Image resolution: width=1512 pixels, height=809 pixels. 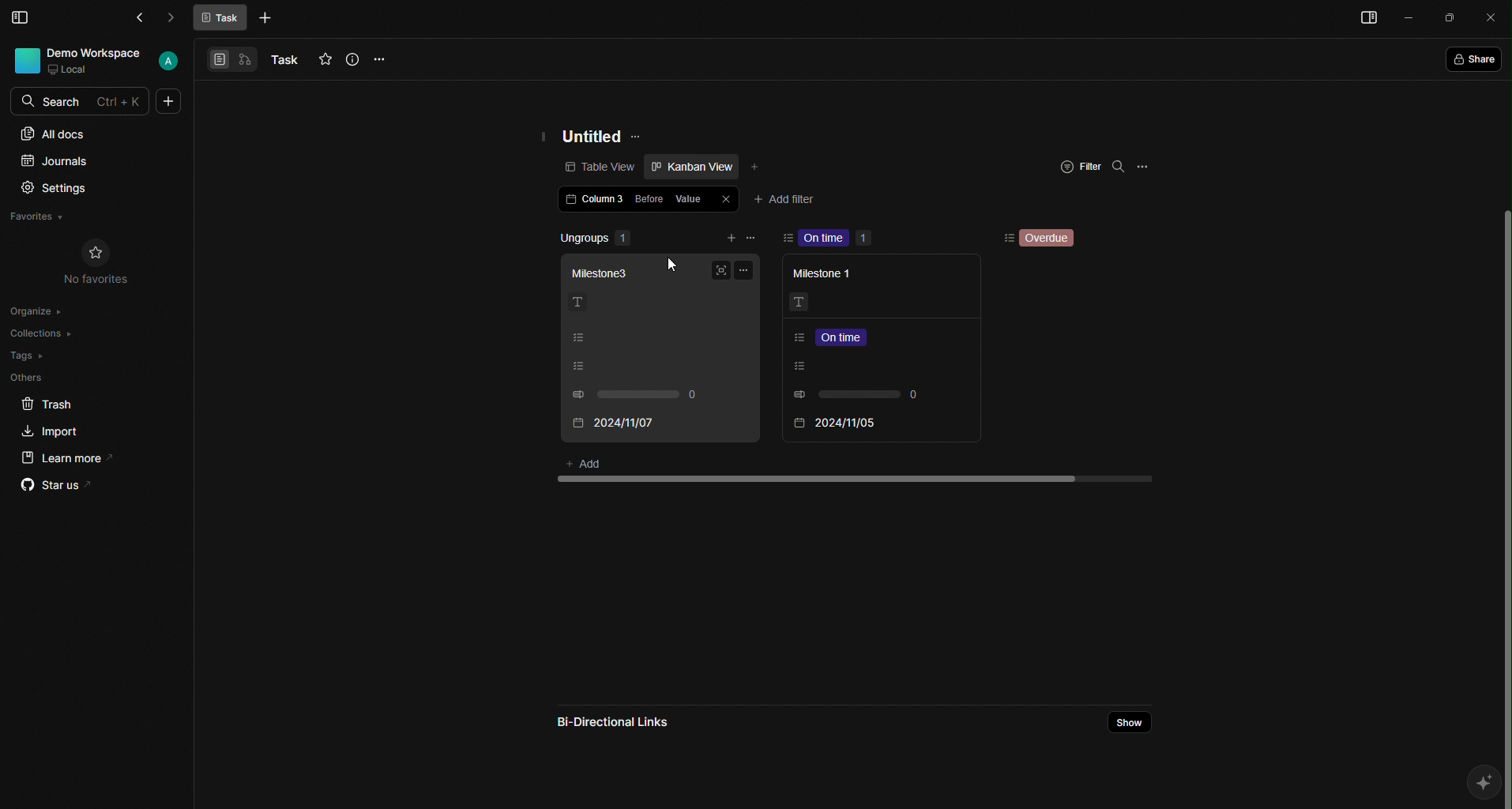 What do you see at coordinates (591, 303) in the screenshot?
I see `Text` at bounding box center [591, 303].